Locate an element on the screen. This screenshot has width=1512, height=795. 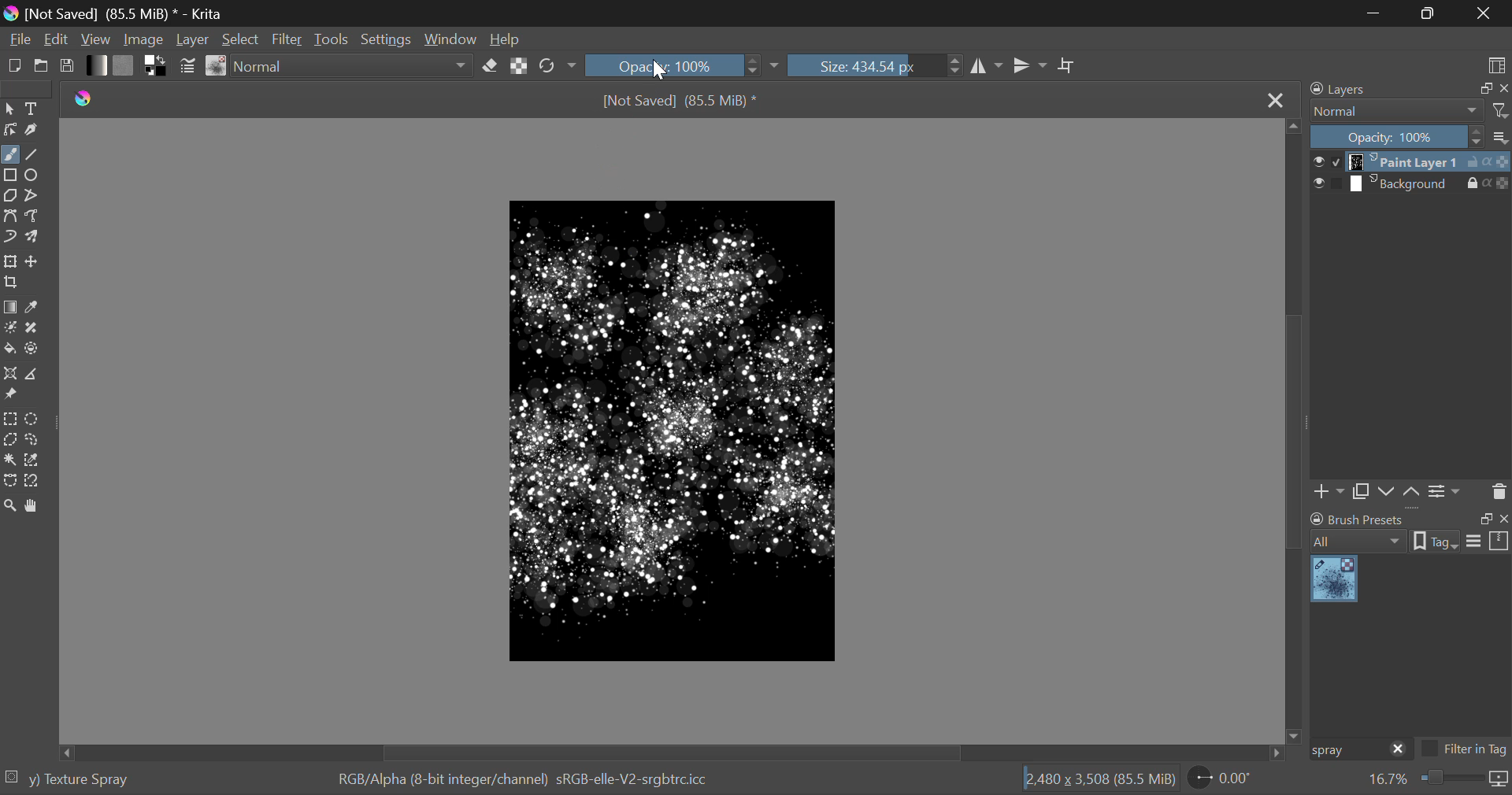
y) Texture Spray is located at coordinates (79, 780).